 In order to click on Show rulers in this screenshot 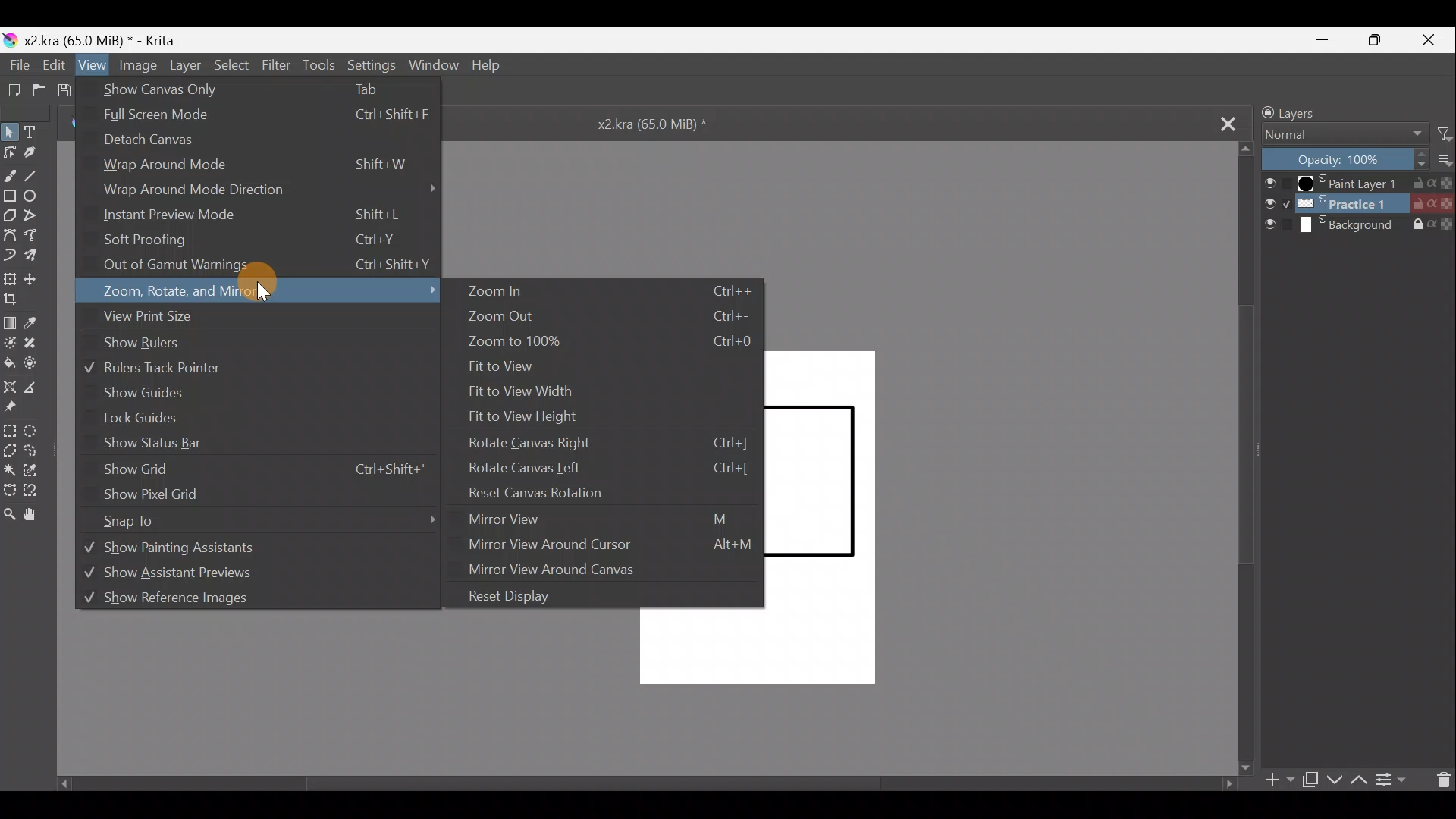, I will do `click(165, 344)`.